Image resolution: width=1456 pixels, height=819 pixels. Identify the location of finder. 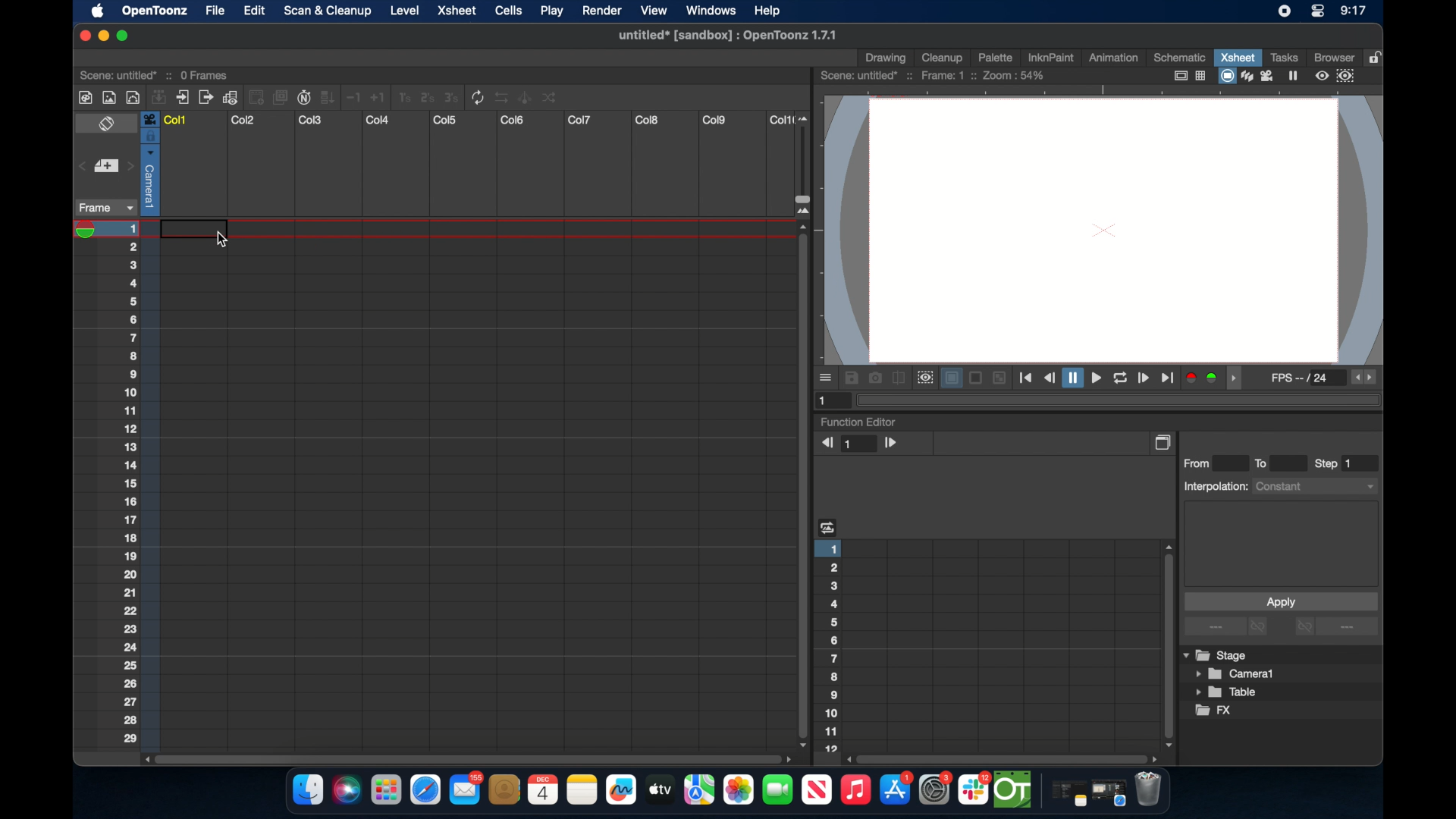
(306, 790).